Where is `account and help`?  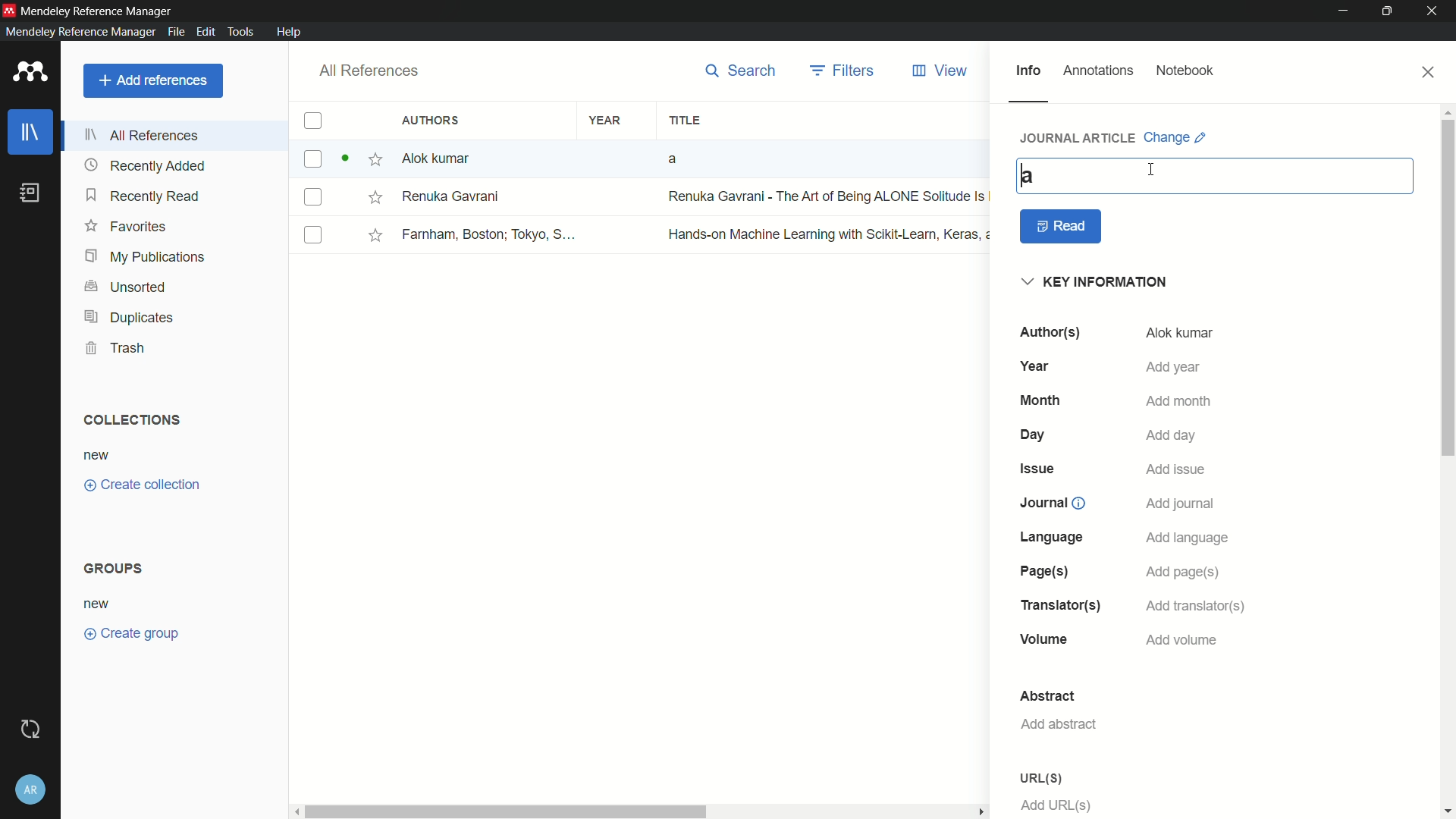 account and help is located at coordinates (33, 789).